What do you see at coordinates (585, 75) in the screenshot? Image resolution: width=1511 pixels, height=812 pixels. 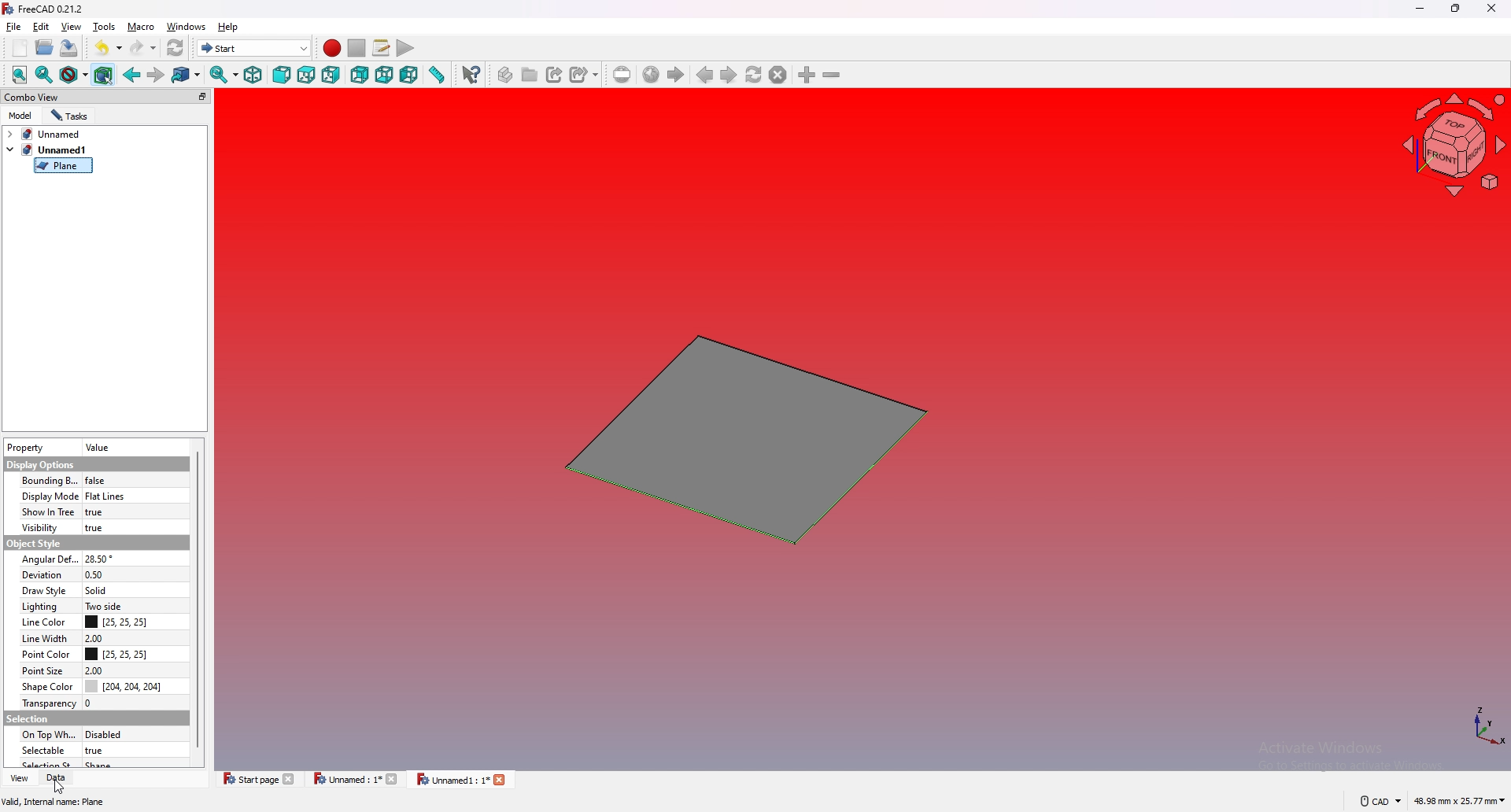 I see `create sub link` at bounding box center [585, 75].